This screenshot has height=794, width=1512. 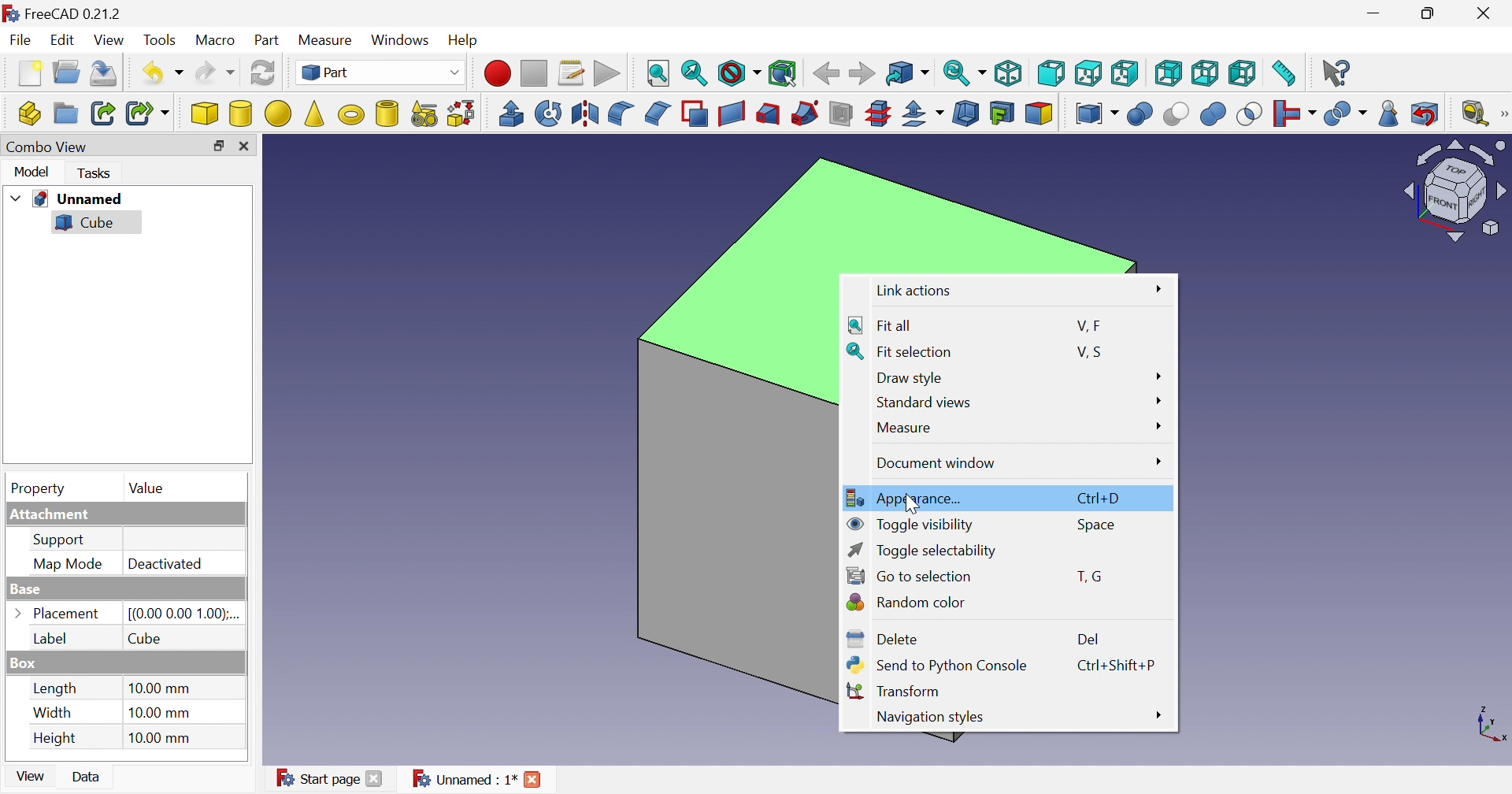 I want to click on Loft, so click(x=768, y=114).